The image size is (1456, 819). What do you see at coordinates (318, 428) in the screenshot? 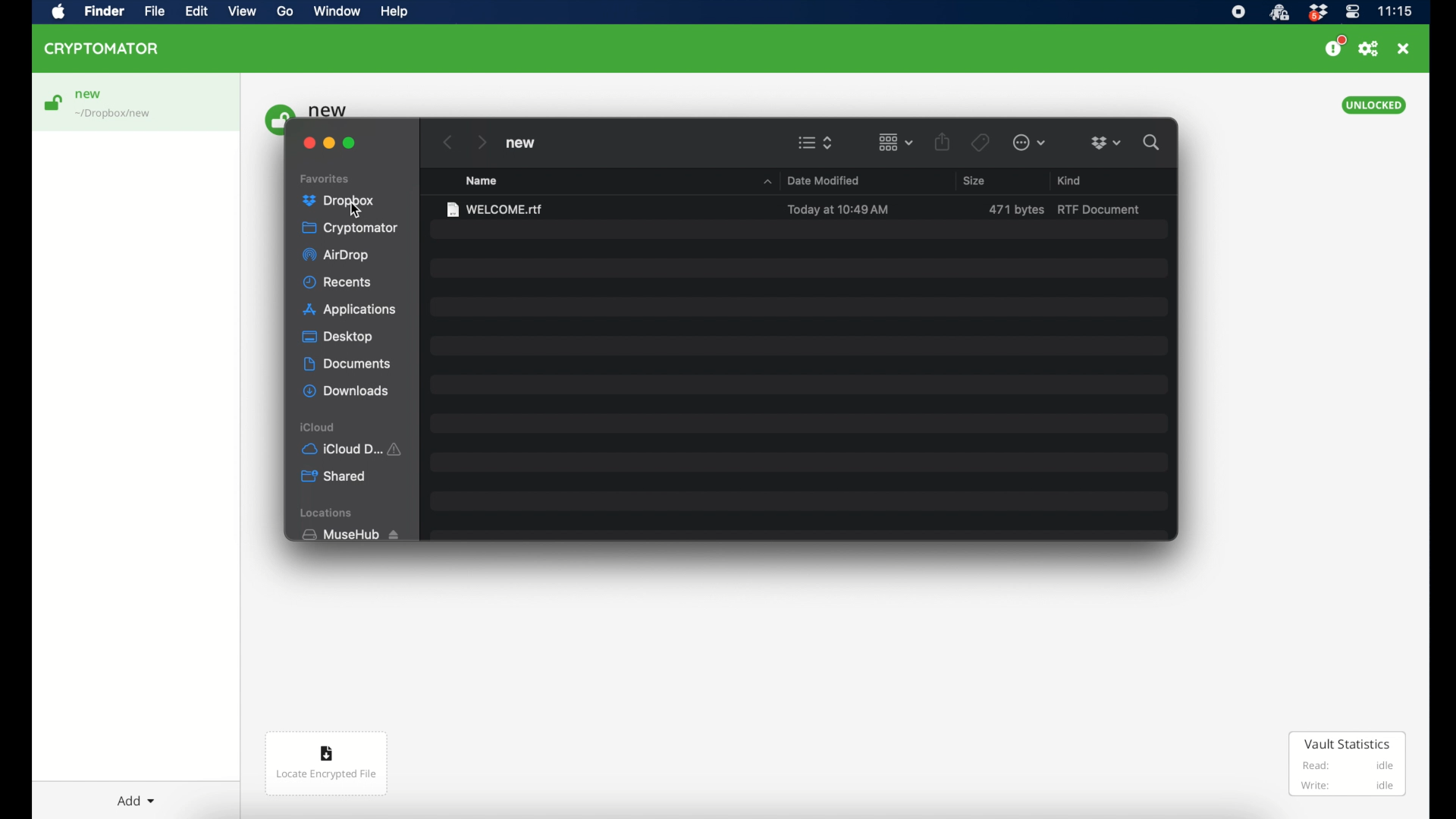
I see `iCloud` at bounding box center [318, 428].